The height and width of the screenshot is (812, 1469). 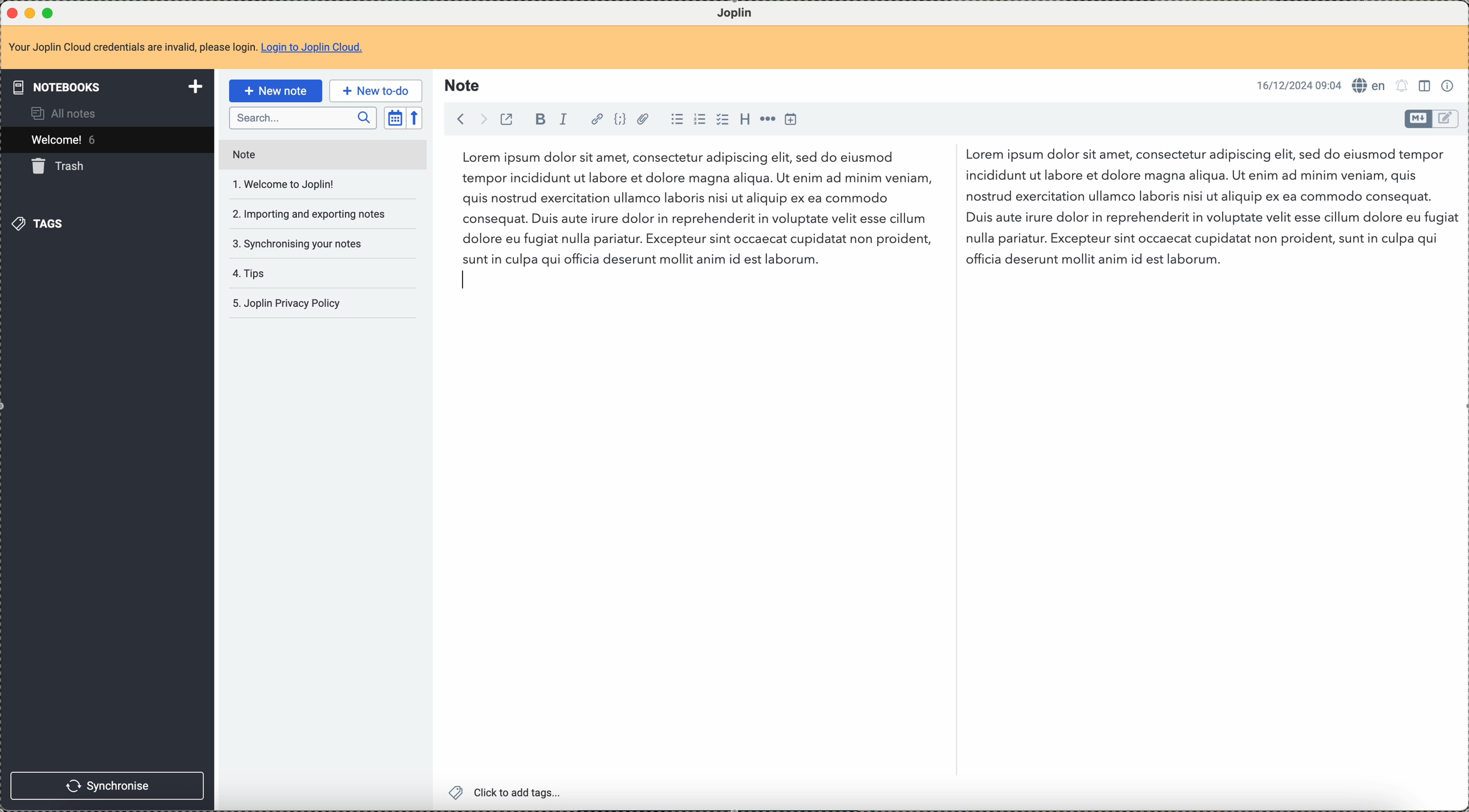 What do you see at coordinates (255, 275) in the screenshot?
I see `tips` at bounding box center [255, 275].